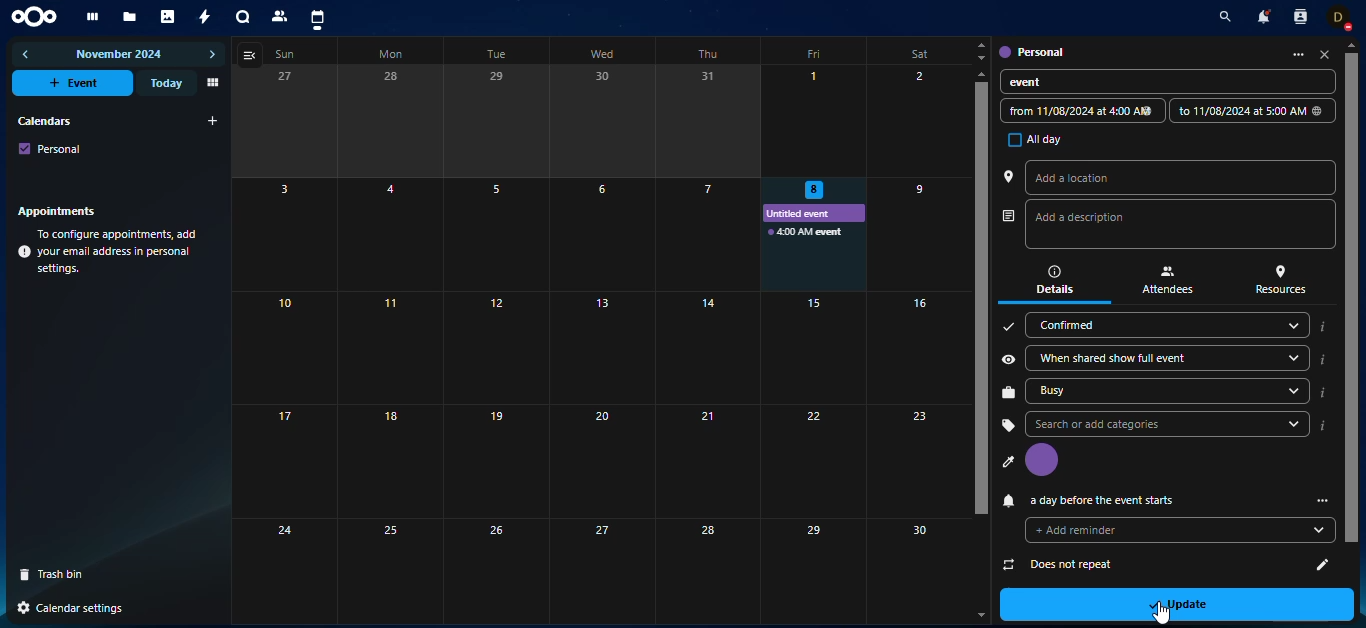  I want to click on 25, so click(389, 568).